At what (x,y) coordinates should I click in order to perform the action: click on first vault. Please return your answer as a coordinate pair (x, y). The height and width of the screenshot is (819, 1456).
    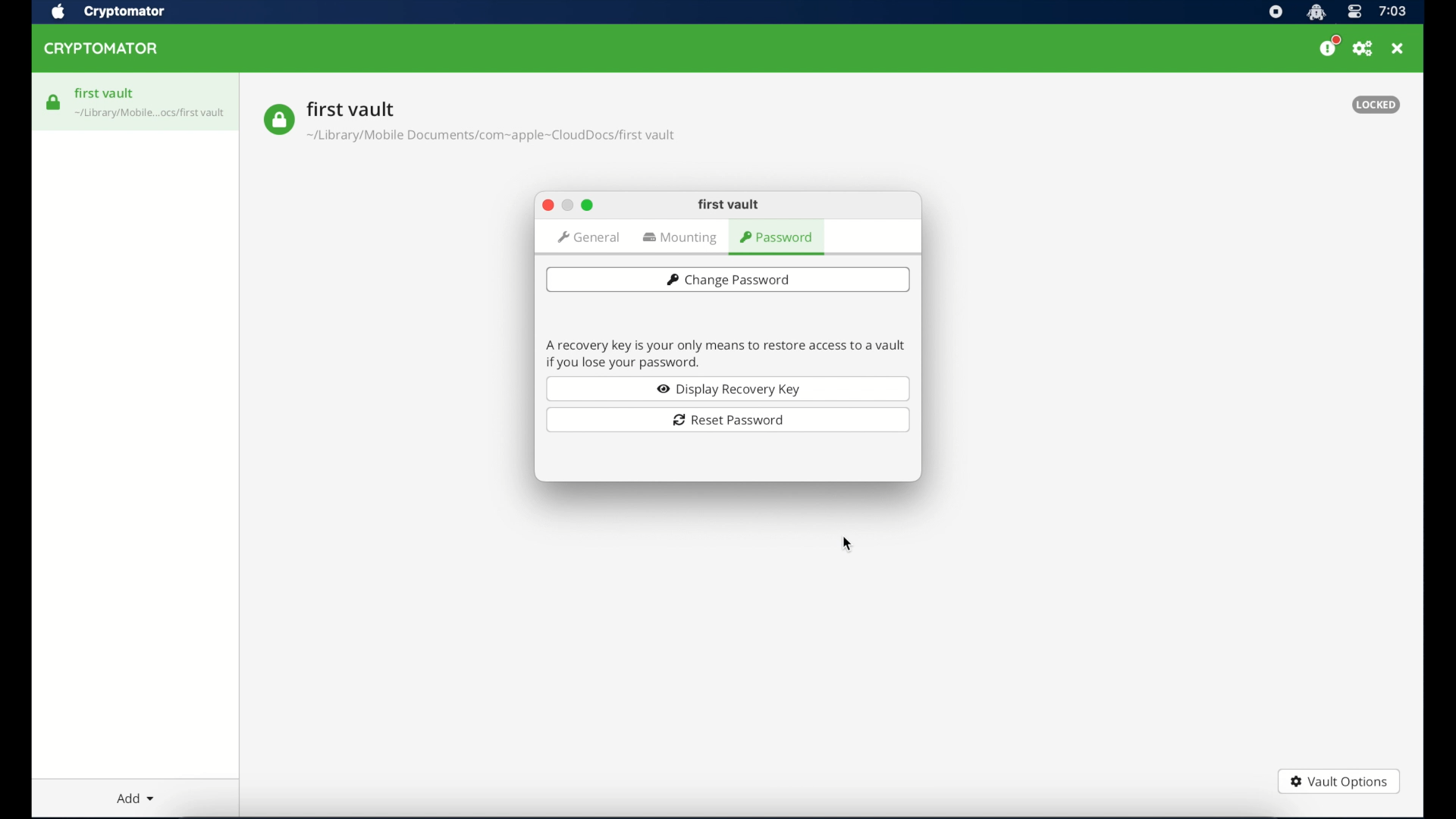
    Looking at the image, I should click on (729, 205).